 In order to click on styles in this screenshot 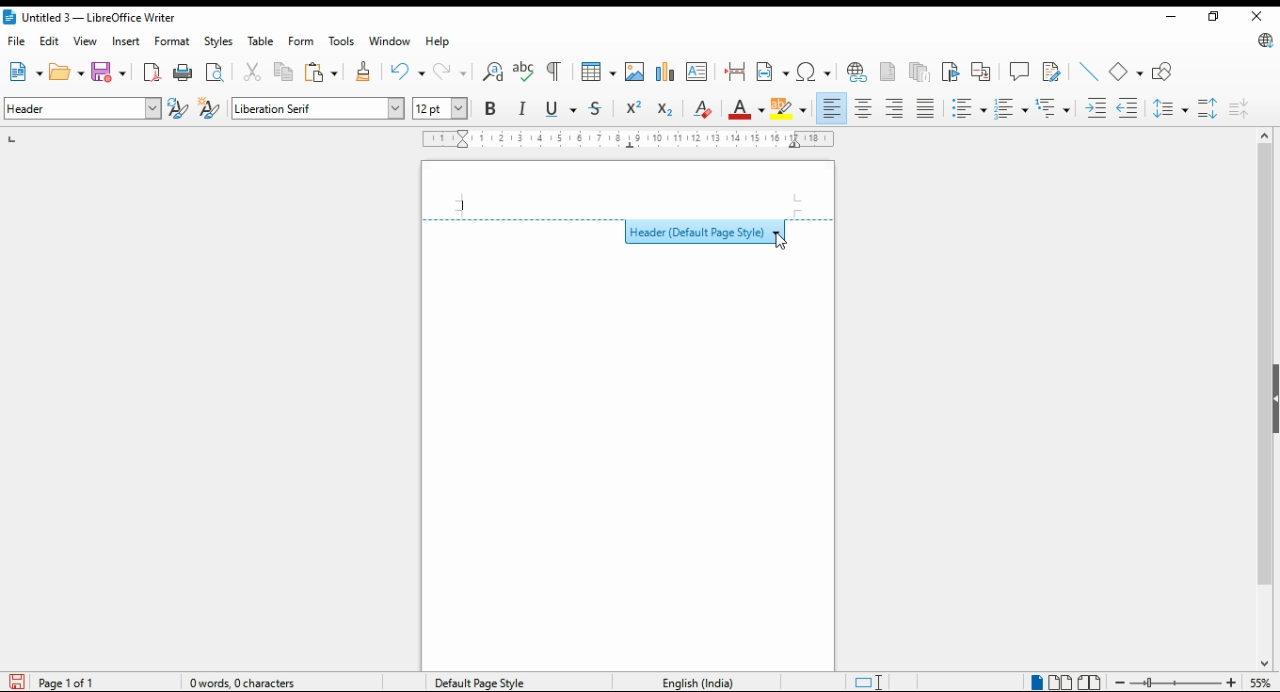, I will do `click(217, 42)`.